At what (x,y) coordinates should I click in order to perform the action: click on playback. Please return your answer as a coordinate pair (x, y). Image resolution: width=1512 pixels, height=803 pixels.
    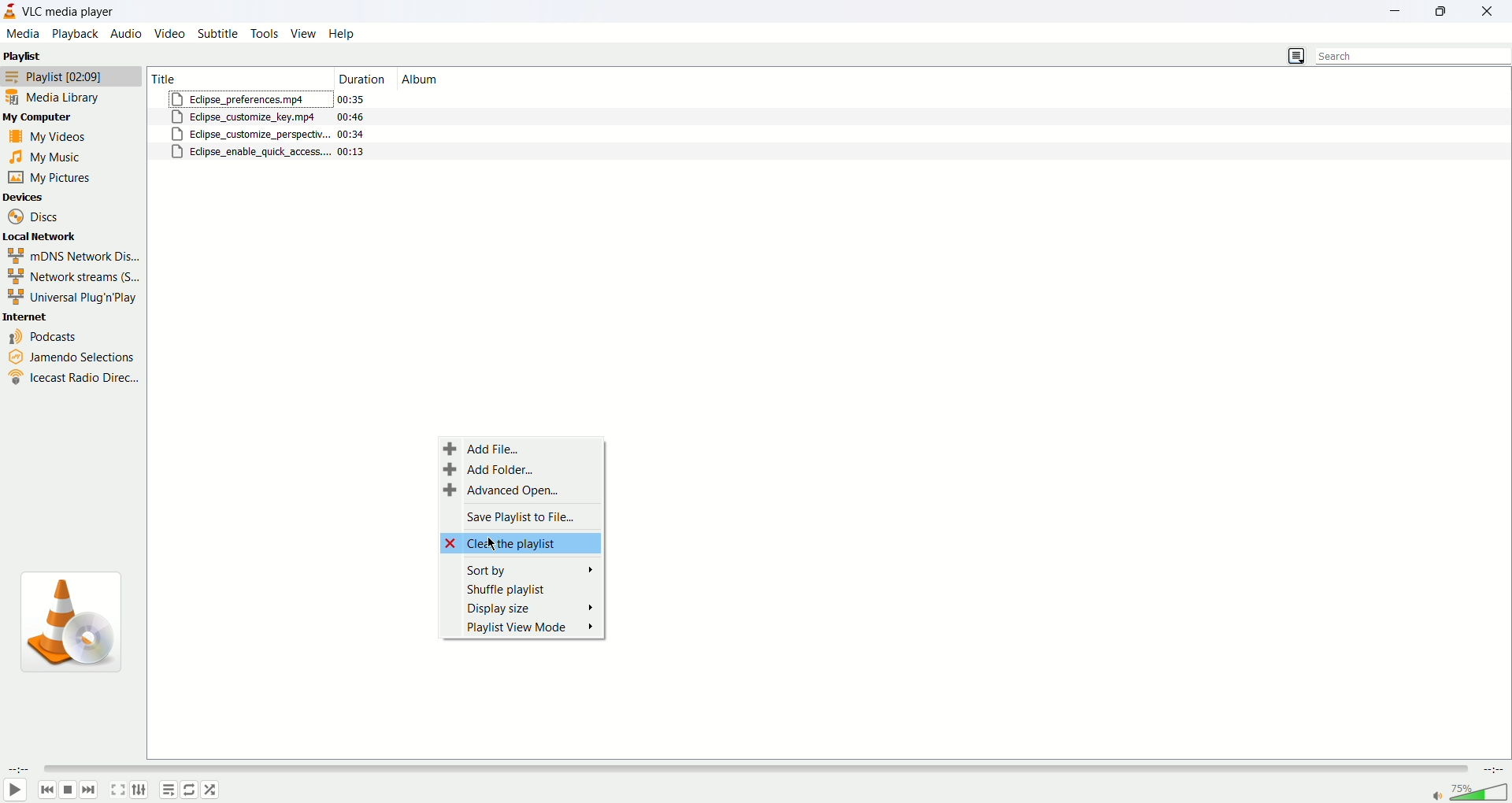
    Looking at the image, I should click on (76, 35).